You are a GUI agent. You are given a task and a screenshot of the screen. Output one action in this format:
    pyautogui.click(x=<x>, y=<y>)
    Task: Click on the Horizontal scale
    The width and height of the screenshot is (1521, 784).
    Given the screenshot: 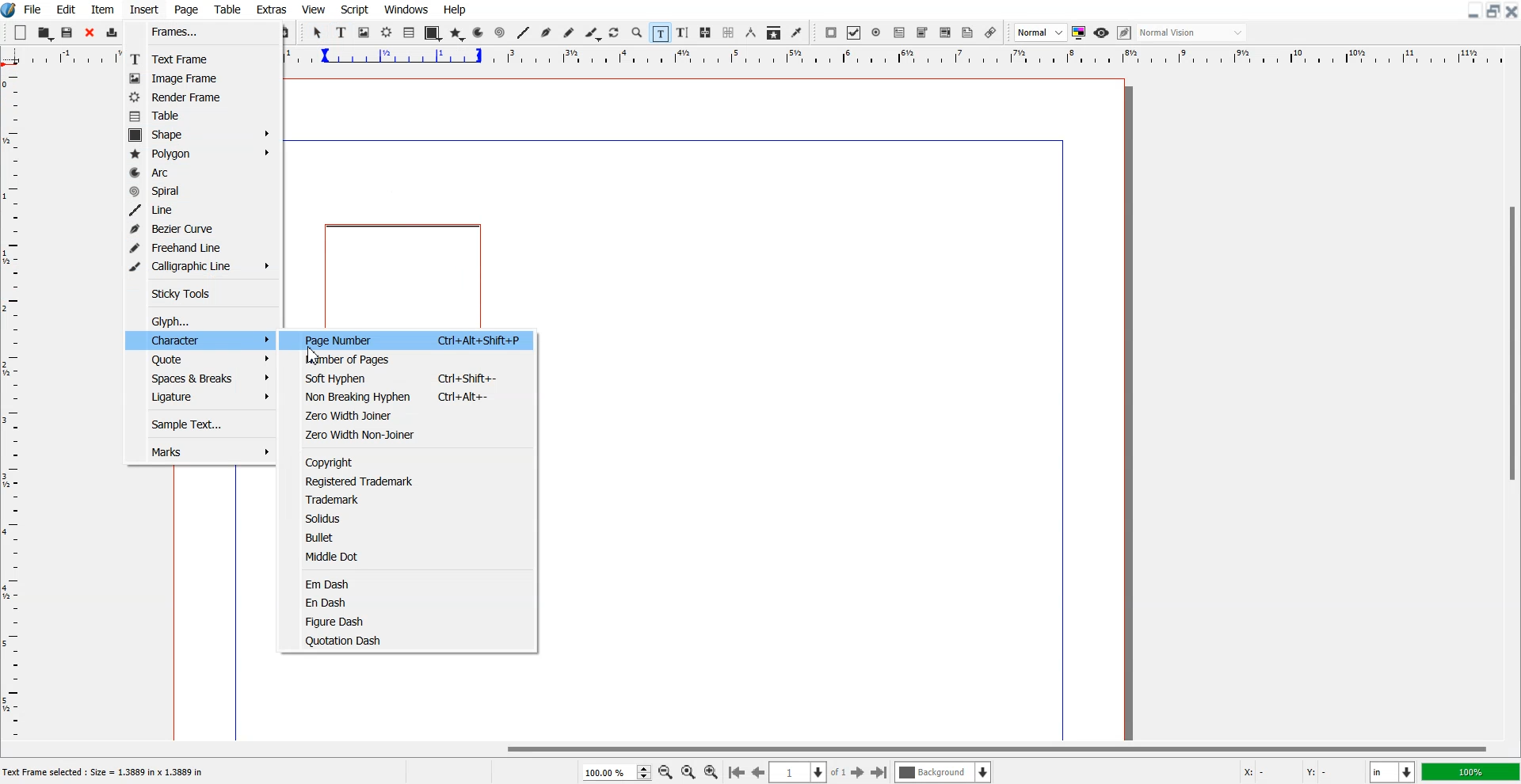 What is the action you would take?
    pyautogui.click(x=62, y=57)
    